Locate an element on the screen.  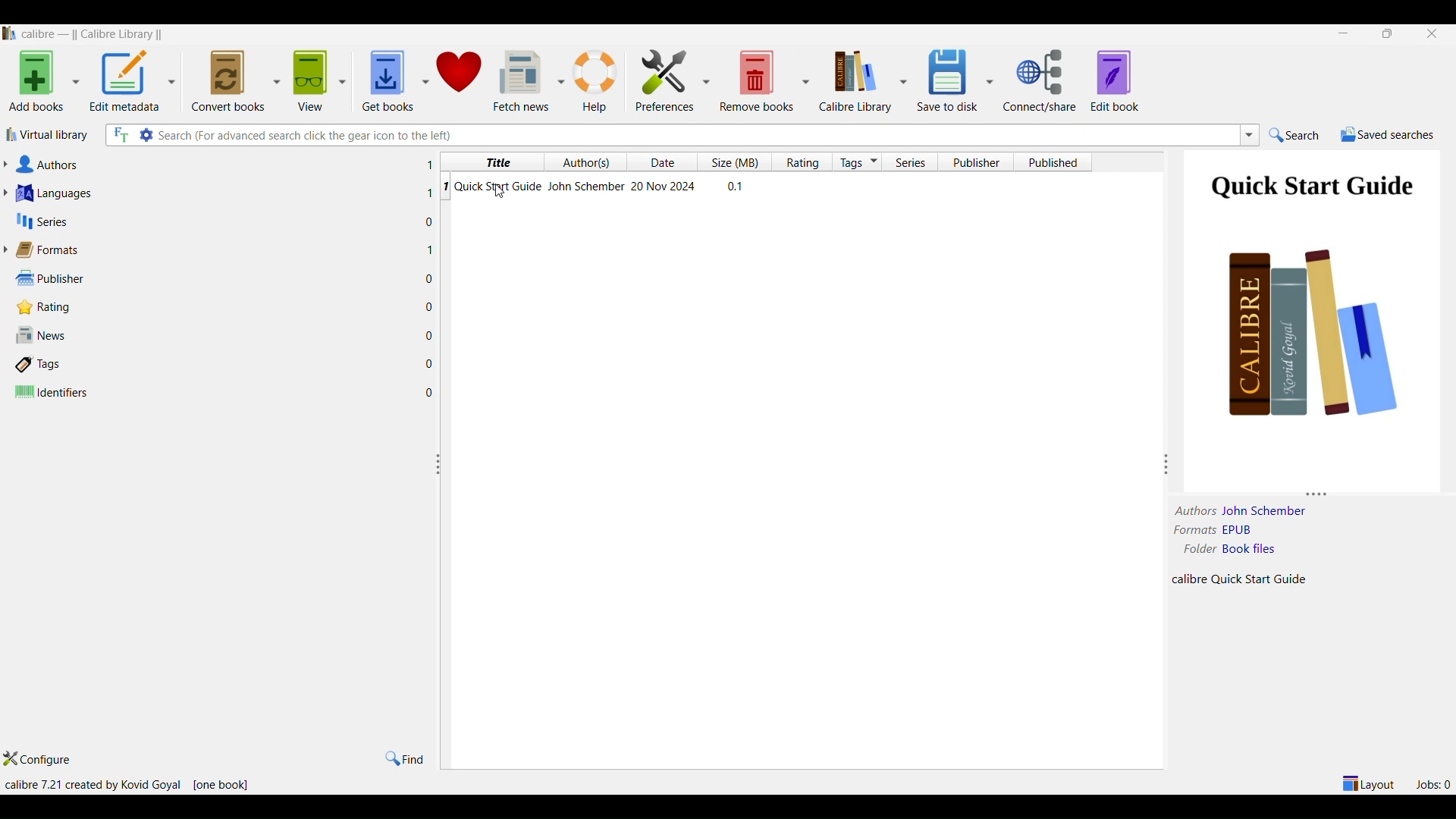
published is located at coordinates (1053, 161).